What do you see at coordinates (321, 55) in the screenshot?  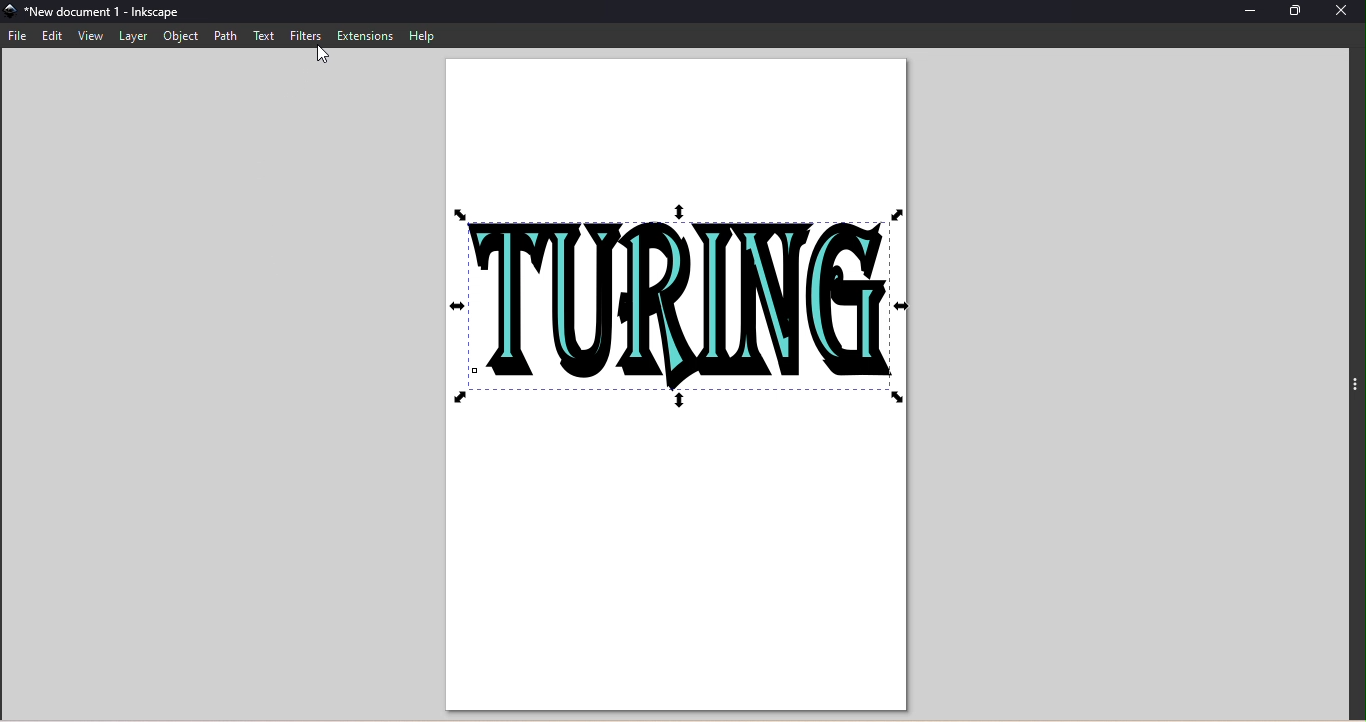 I see `cursor` at bounding box center [321, 55].